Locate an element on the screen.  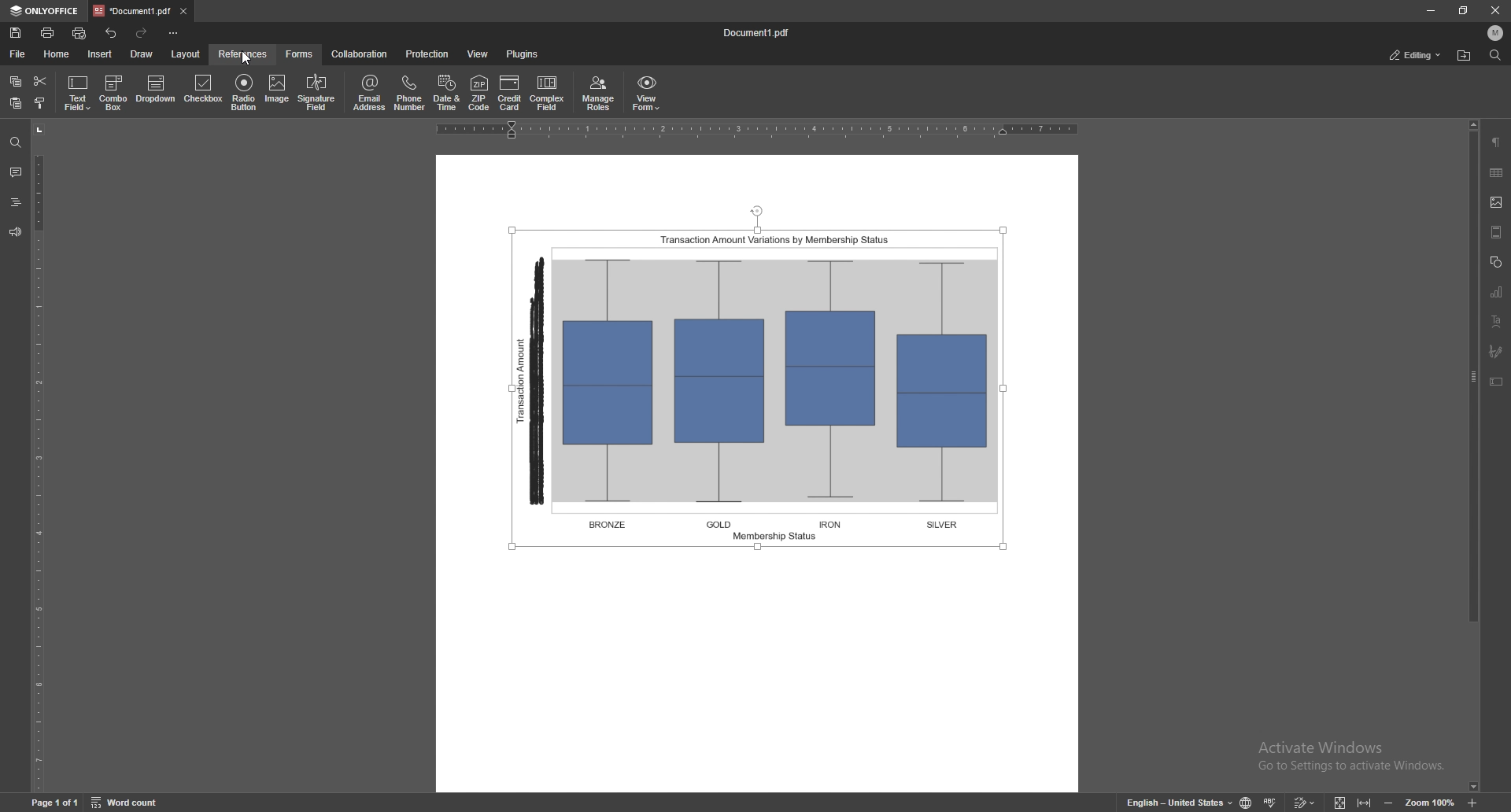
zoom in is located at coordinates (1472, 801).